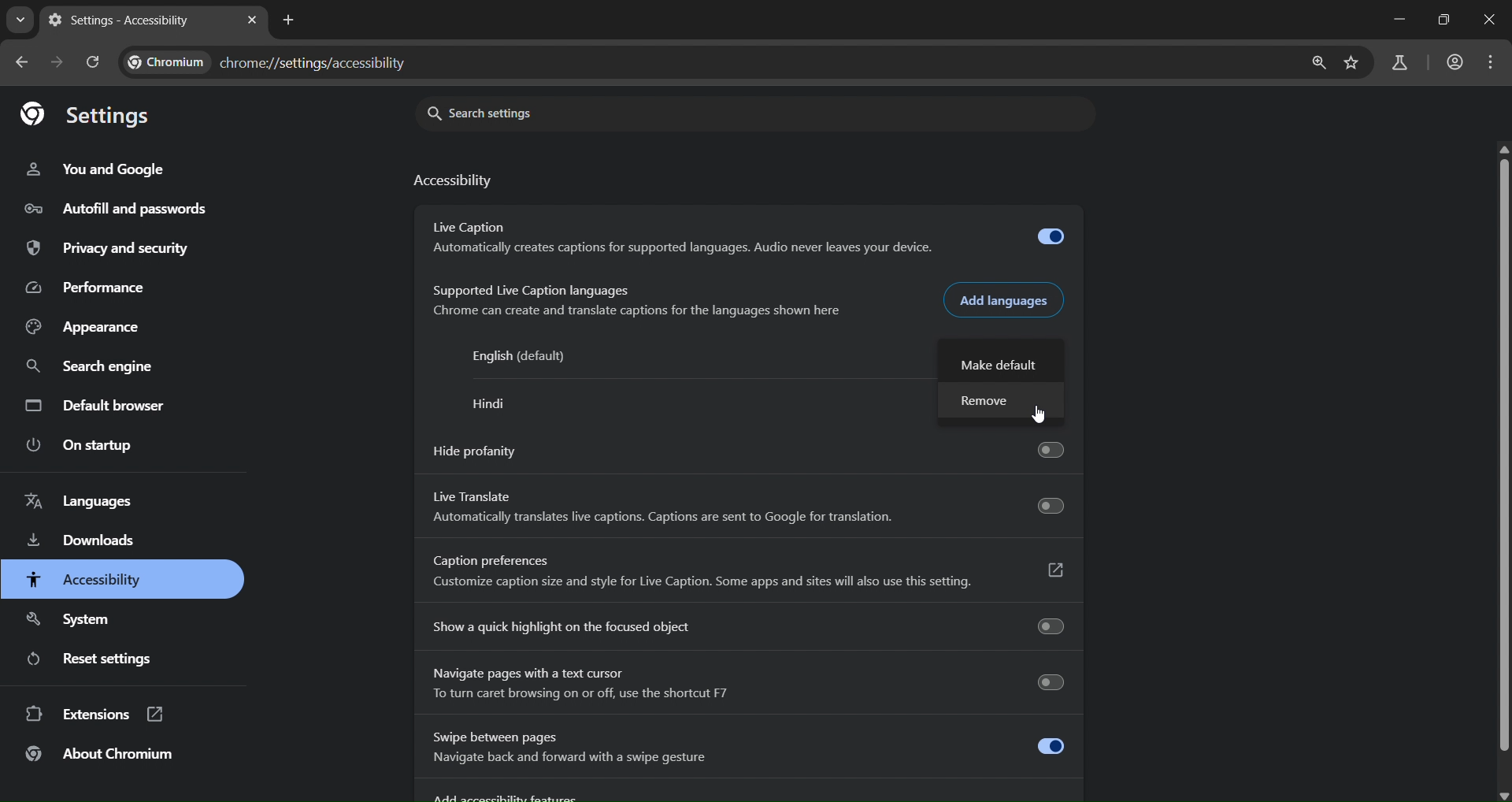 The height and width of the screenshot is (802, 1512). Describe the element at coordinates (19, 20) in the screenshot. I see `search tabs` at that location.